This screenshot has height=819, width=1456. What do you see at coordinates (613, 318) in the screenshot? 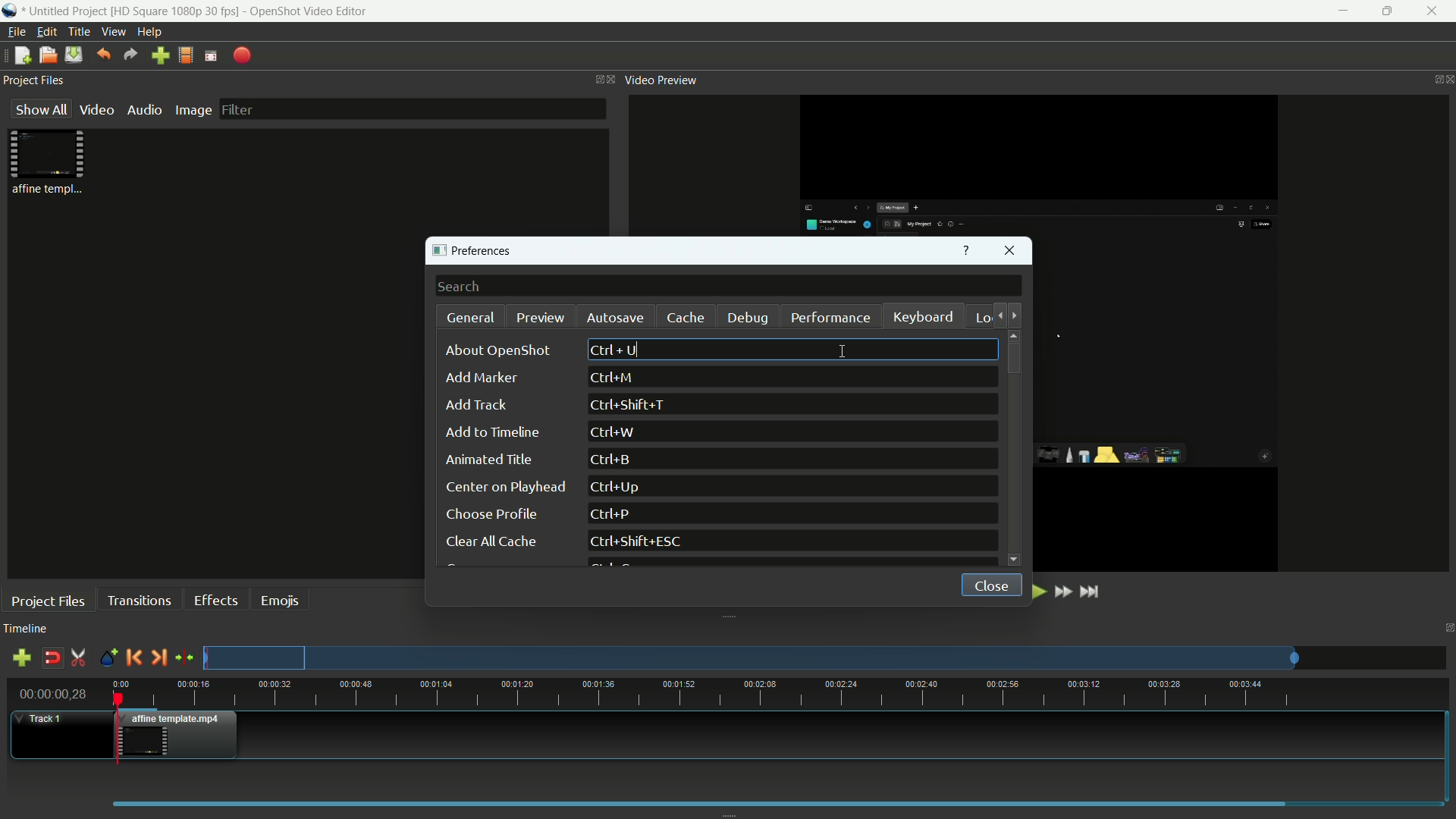
I see `autosave` at bounding box center [613, 318].